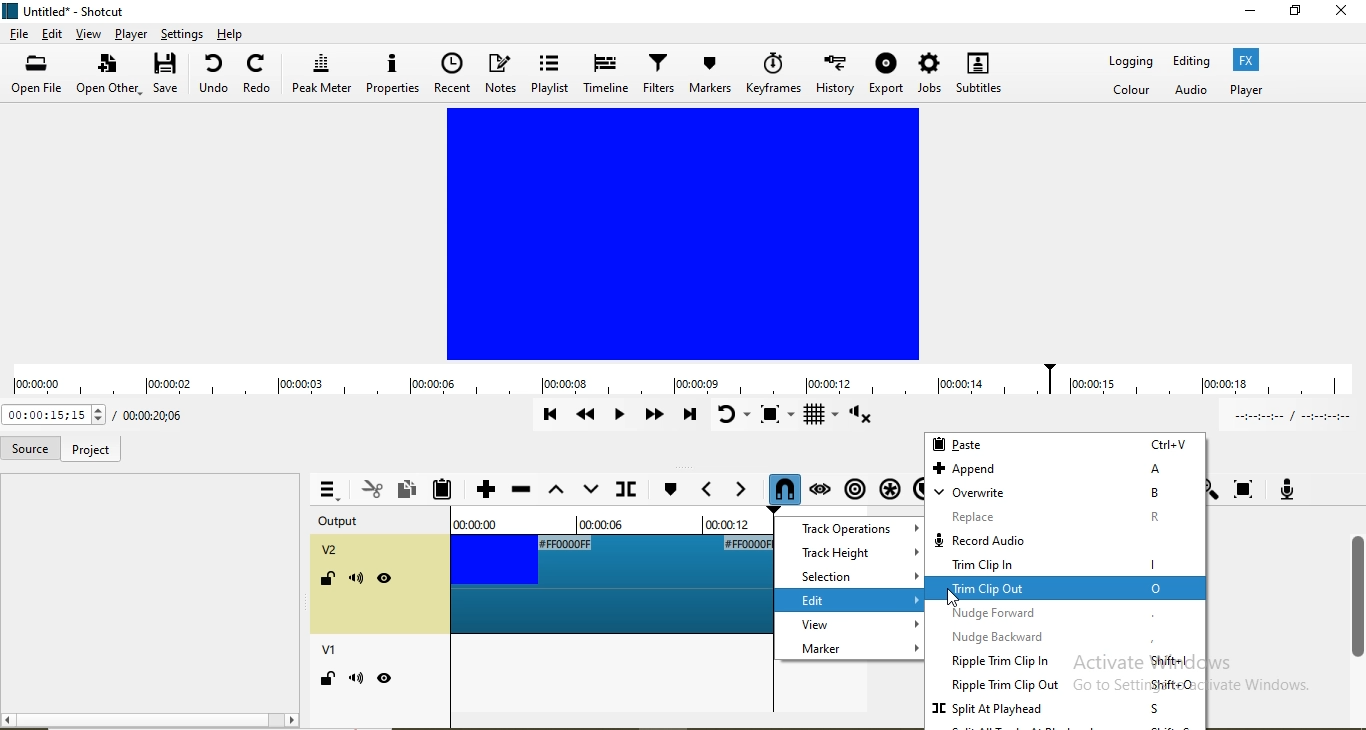 This screenshot has height=730, width=1366. What do you see at coordinates (89, 451) in the screenshot?
I see `project` at bounding box center [89, 451].